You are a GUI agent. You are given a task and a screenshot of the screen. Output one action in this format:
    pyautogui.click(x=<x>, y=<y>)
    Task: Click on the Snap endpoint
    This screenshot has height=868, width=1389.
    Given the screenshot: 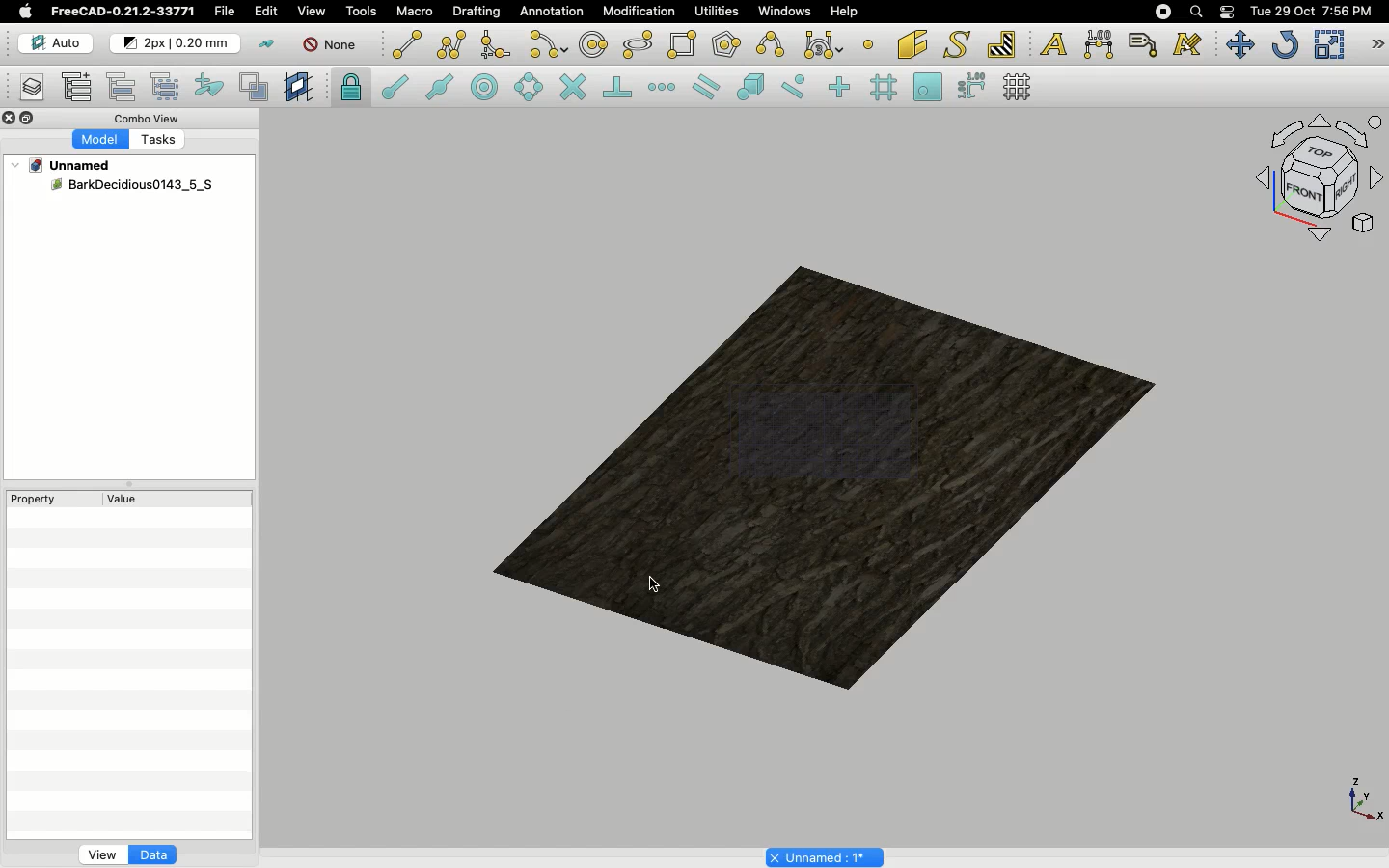 What is the action you would take?
    pyautogui.click(x=395, y=90)
    